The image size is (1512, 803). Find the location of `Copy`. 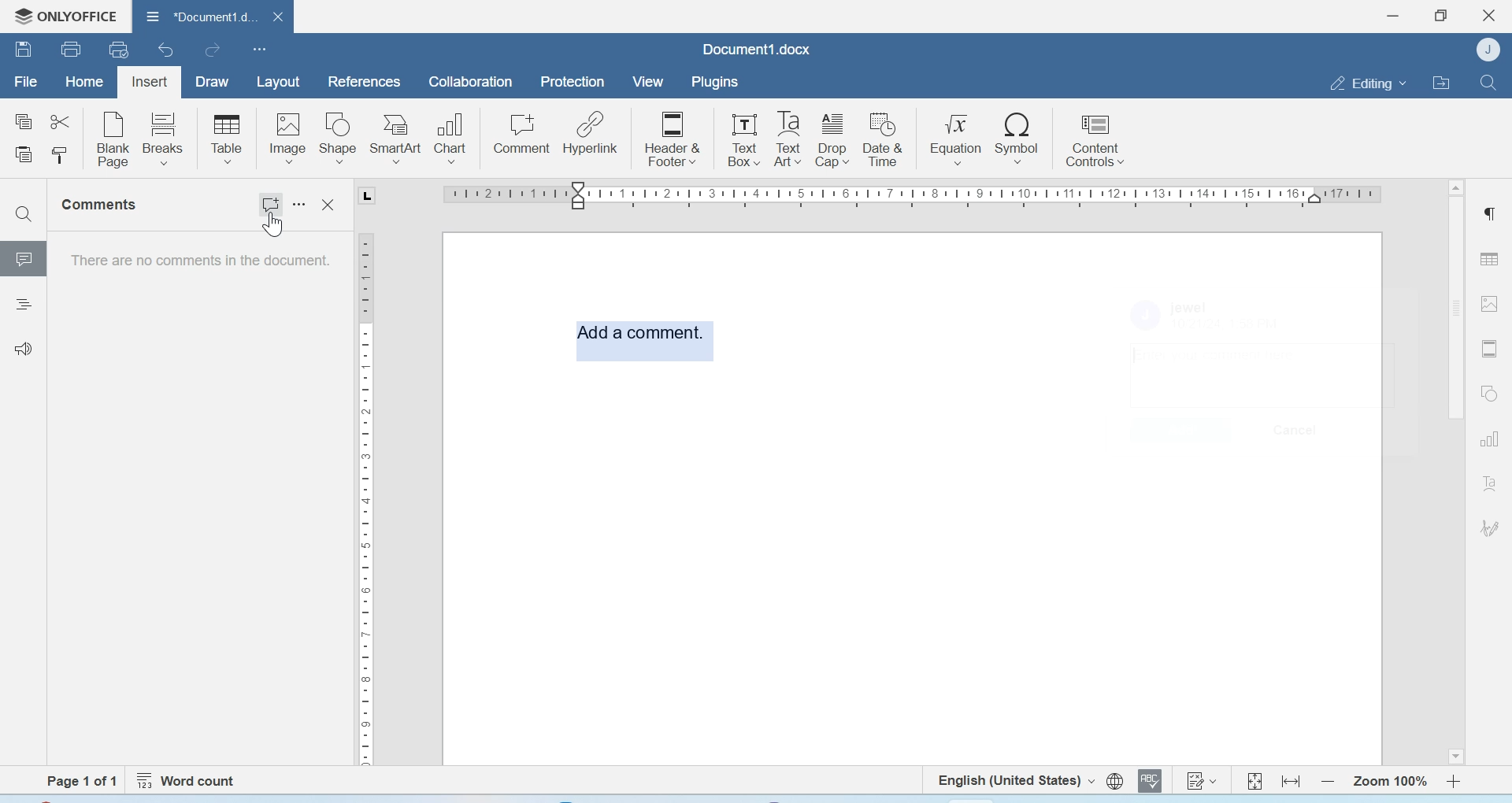

Copy is located at coordinates (24, 122).